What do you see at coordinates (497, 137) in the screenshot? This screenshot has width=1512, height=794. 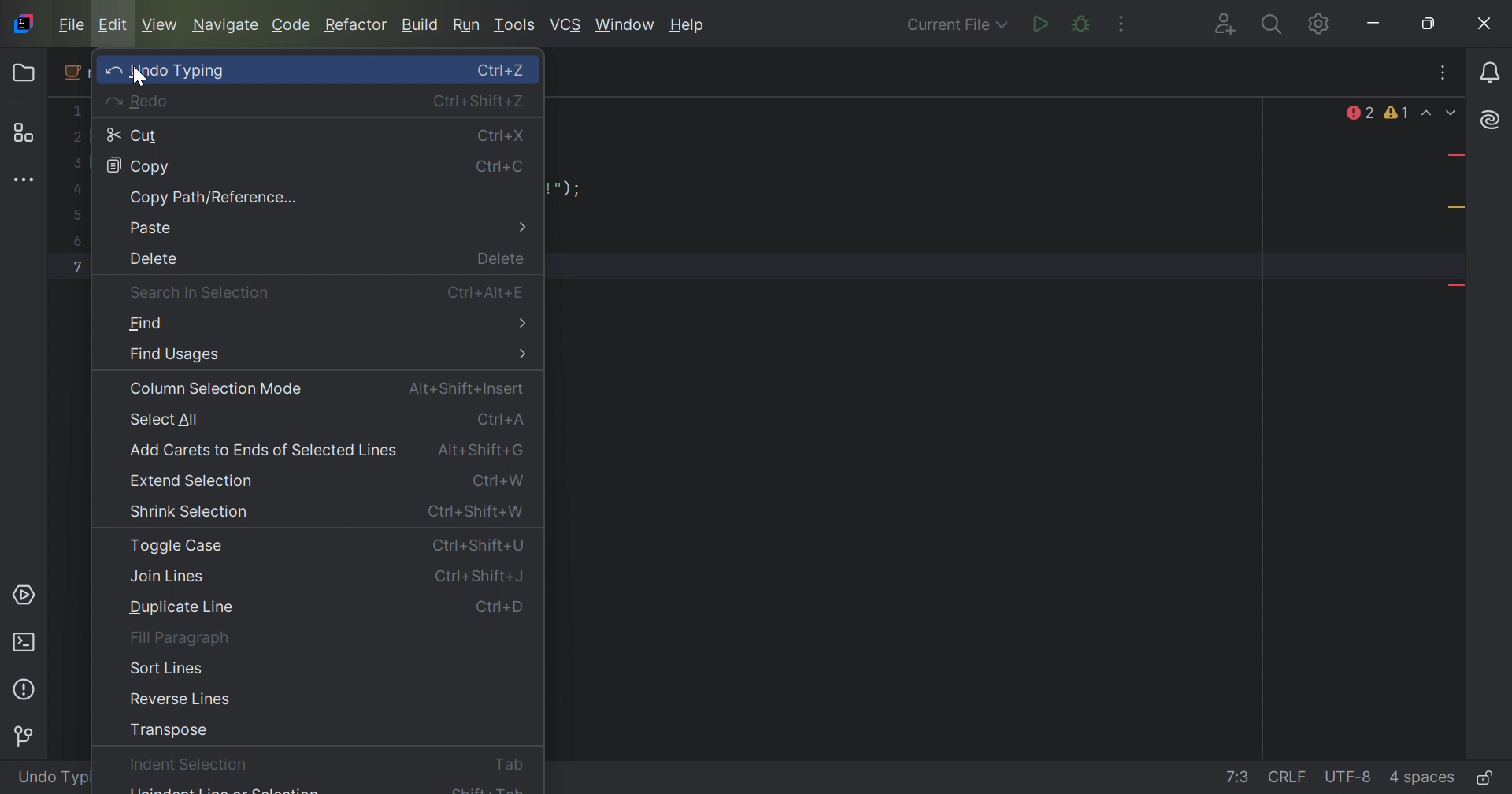 I see `Ctrl+X` at bounding box center [497, 137].